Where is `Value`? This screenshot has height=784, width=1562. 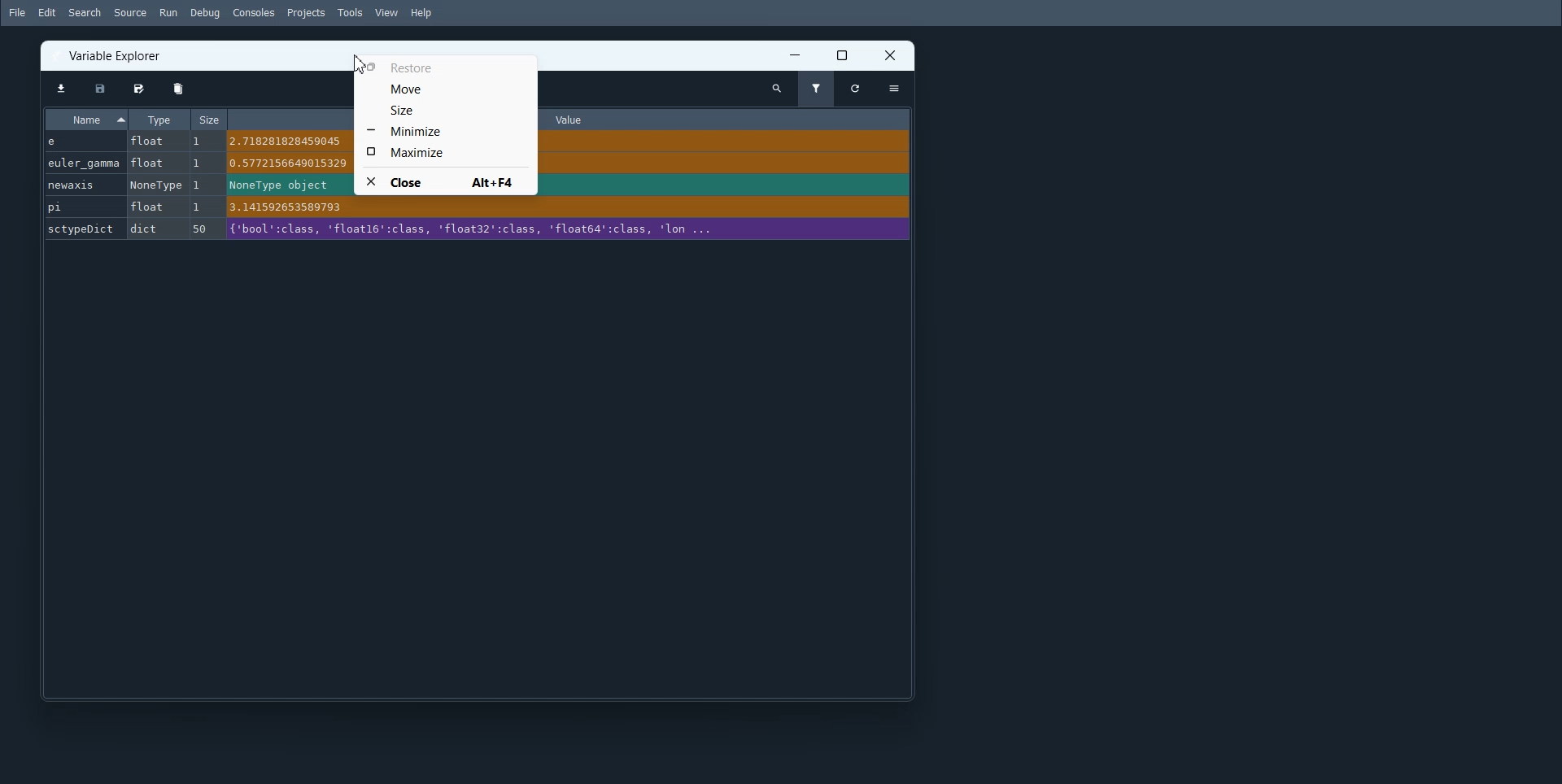
Value is located at coordinates (573, 120).